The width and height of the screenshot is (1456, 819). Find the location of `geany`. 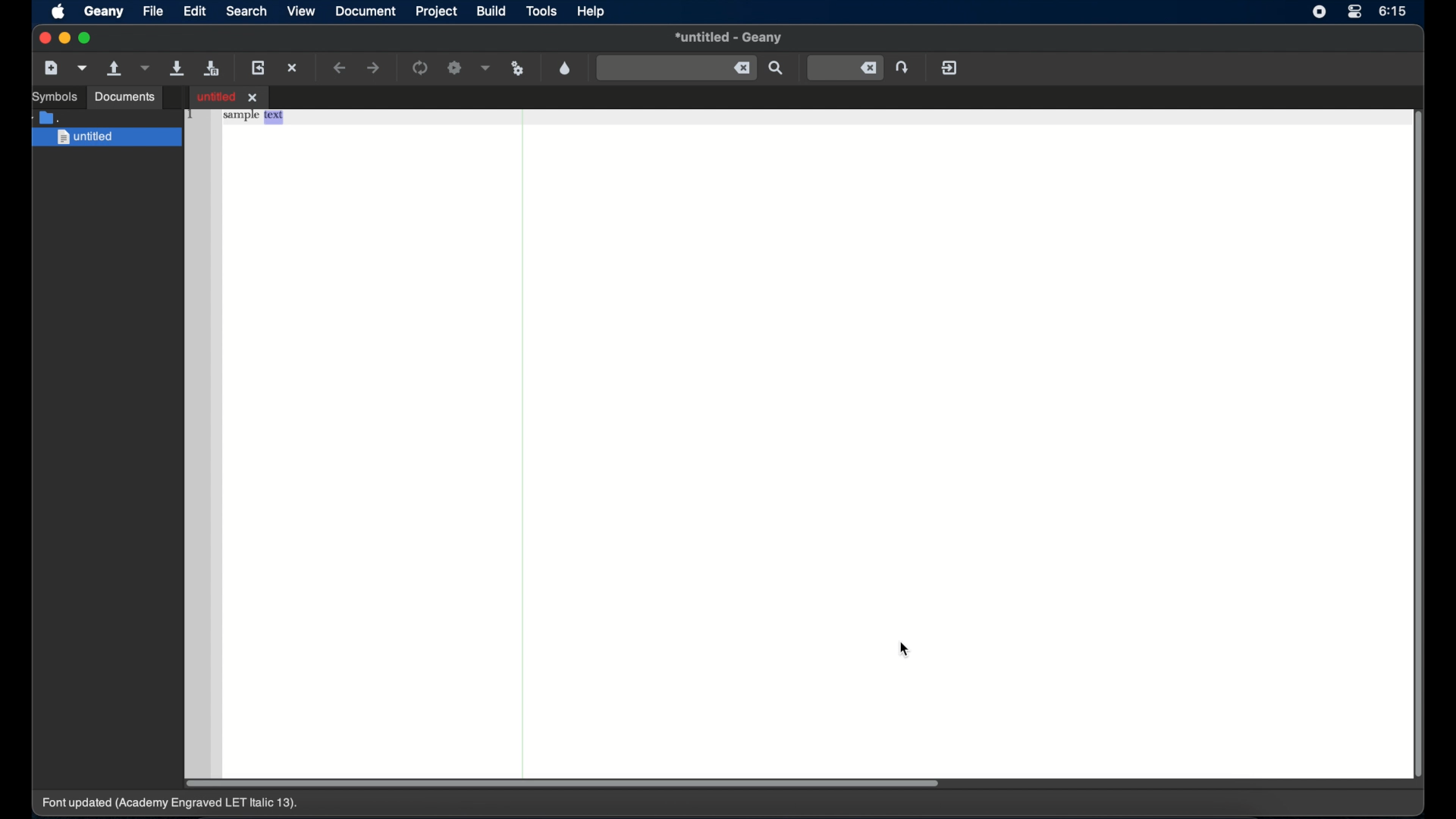

geany is located at coordinates (104, 12).